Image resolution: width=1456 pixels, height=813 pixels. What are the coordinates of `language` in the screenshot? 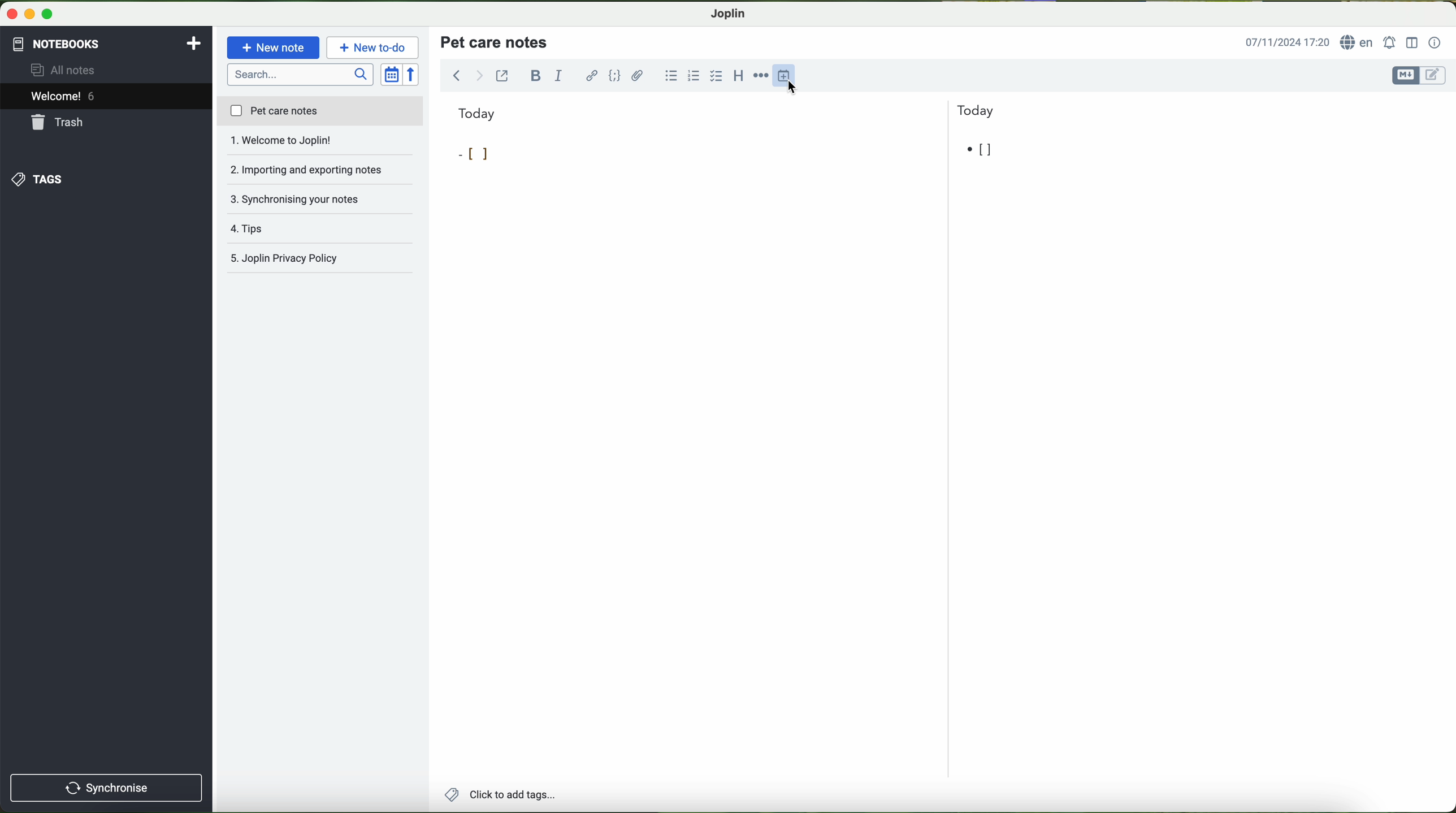 It's located at (1359, 43).